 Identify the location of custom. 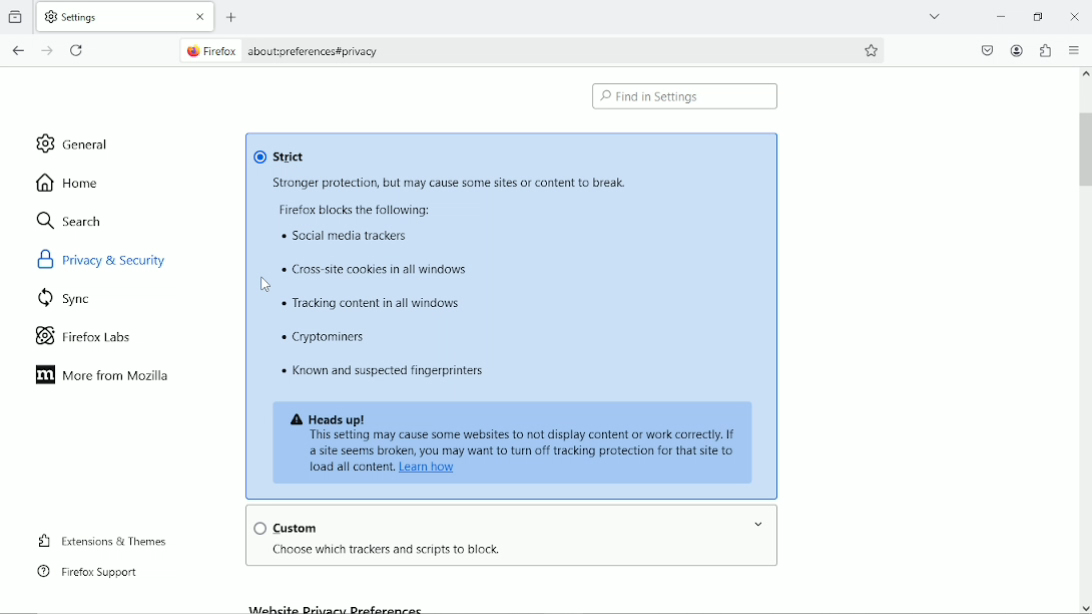
(298, 528).